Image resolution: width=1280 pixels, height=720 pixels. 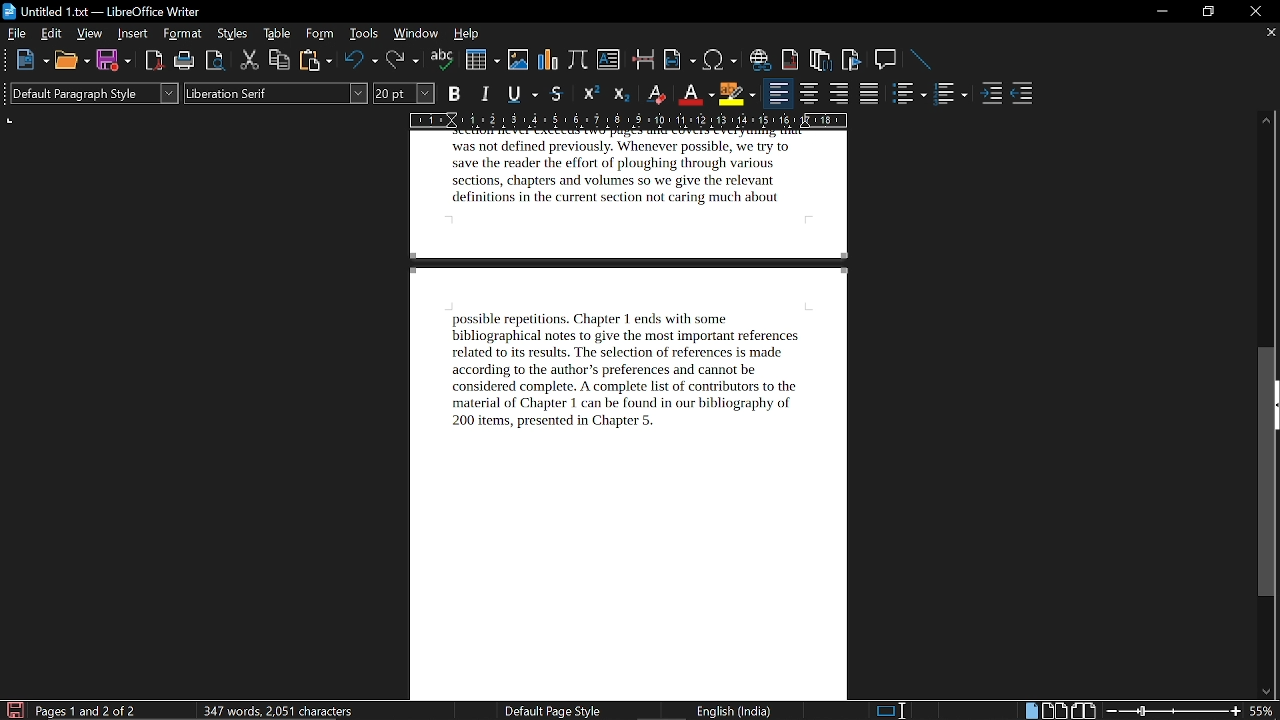 I want to click on print, so click(x=184, y=61).